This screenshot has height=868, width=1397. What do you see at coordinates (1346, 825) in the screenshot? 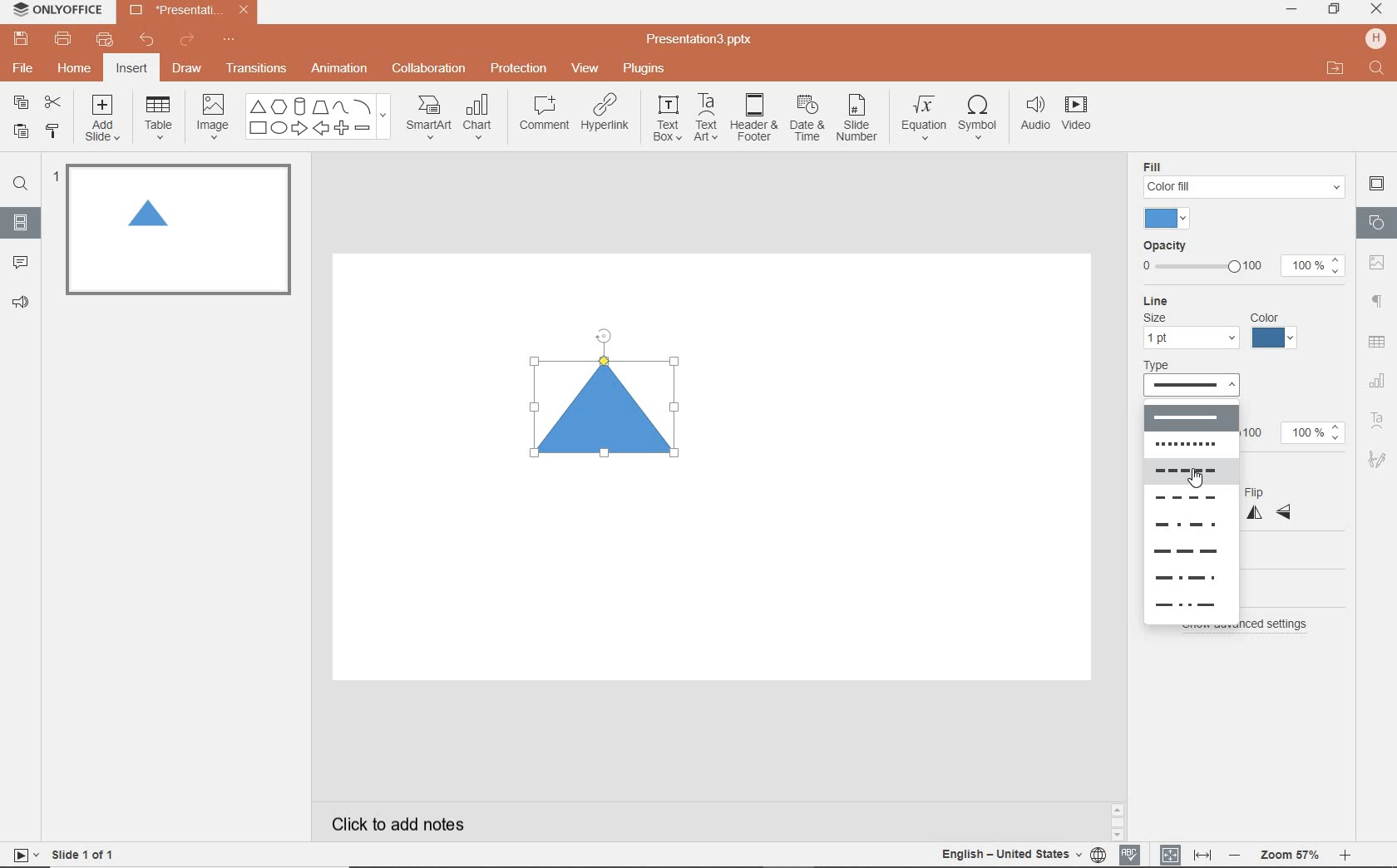
I see `SCROLLBAR` at bounding box center [1346, 825].